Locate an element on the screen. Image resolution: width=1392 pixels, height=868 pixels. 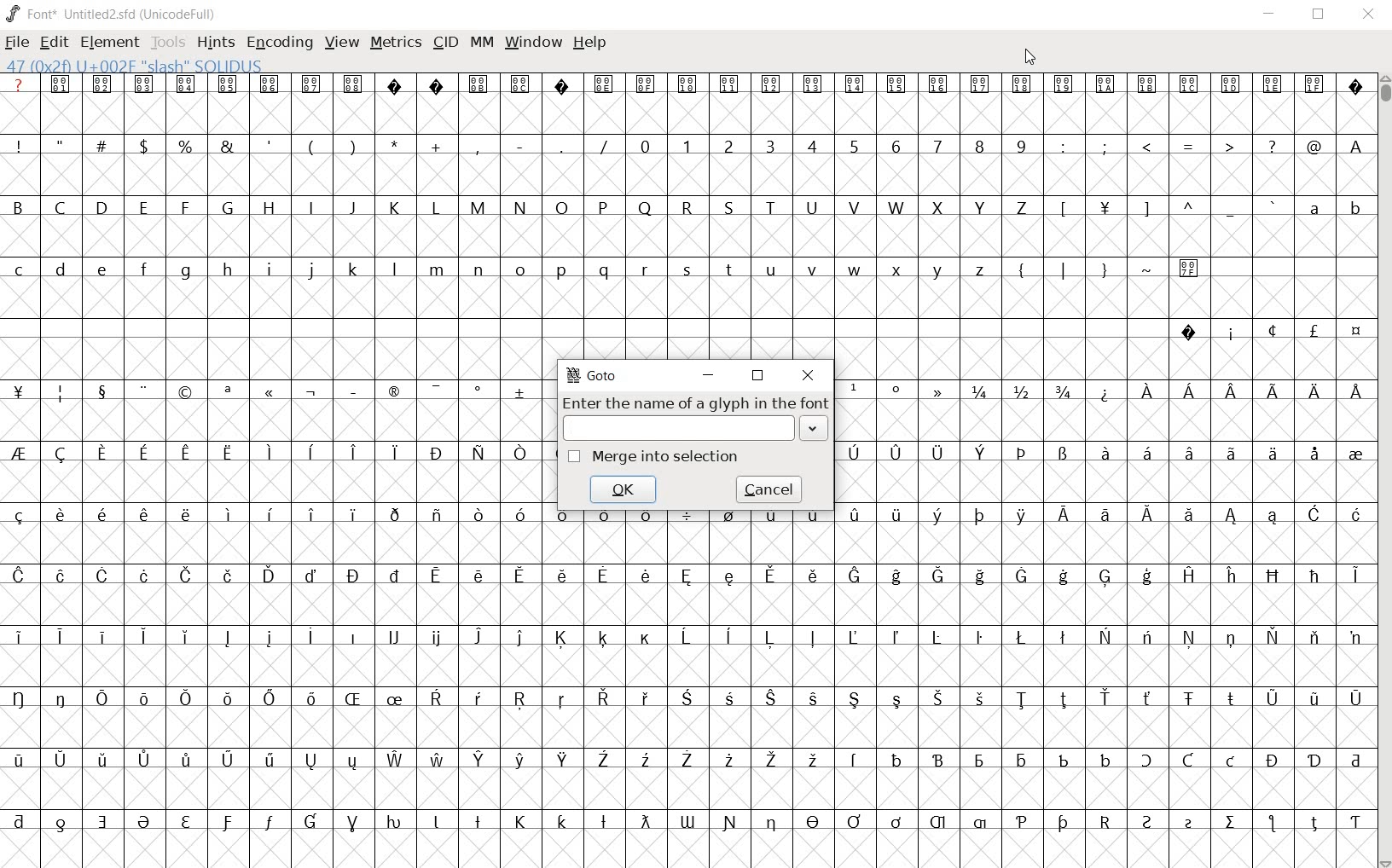
small letters a - b is located at coordinates (1325, 208).